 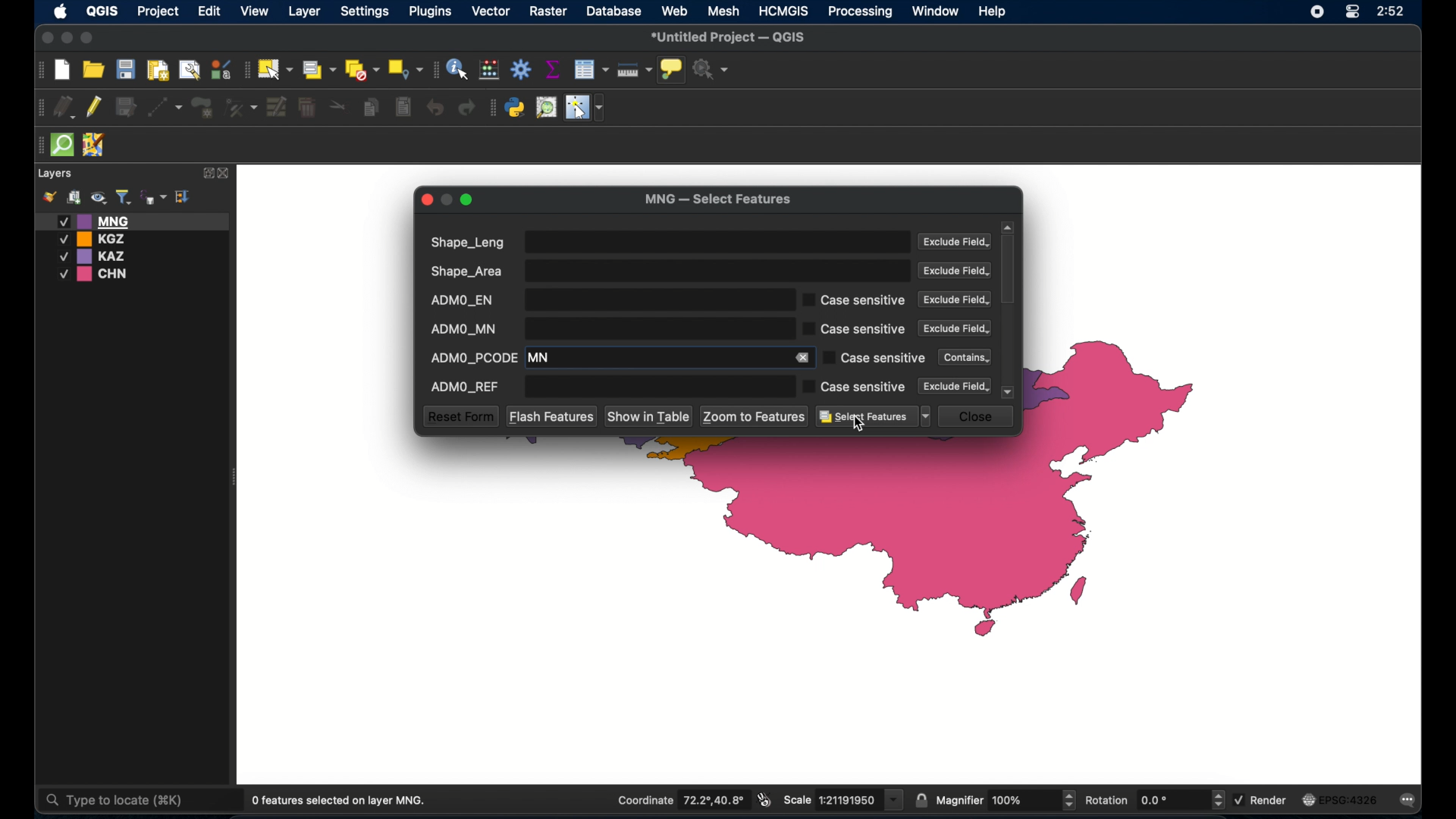 I want to click on edit, so click(x=209, y=12).